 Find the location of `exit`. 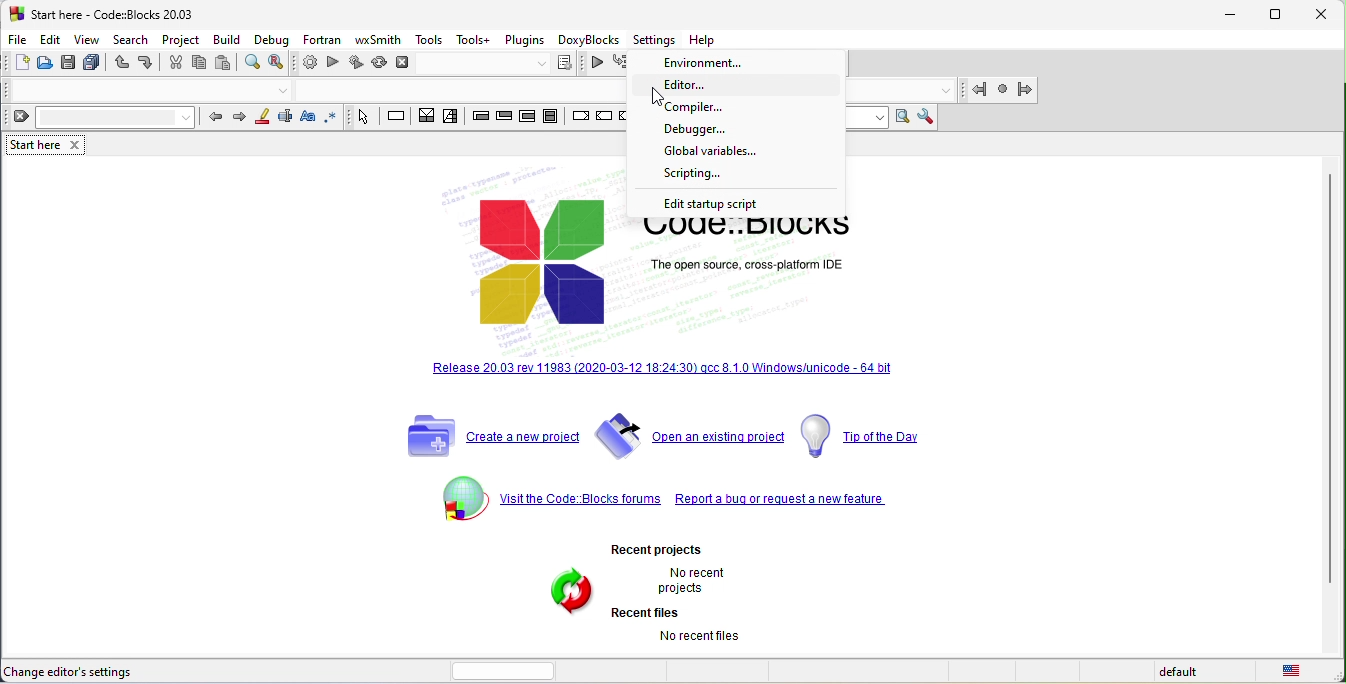

exit is located at coordinates (507, 117).